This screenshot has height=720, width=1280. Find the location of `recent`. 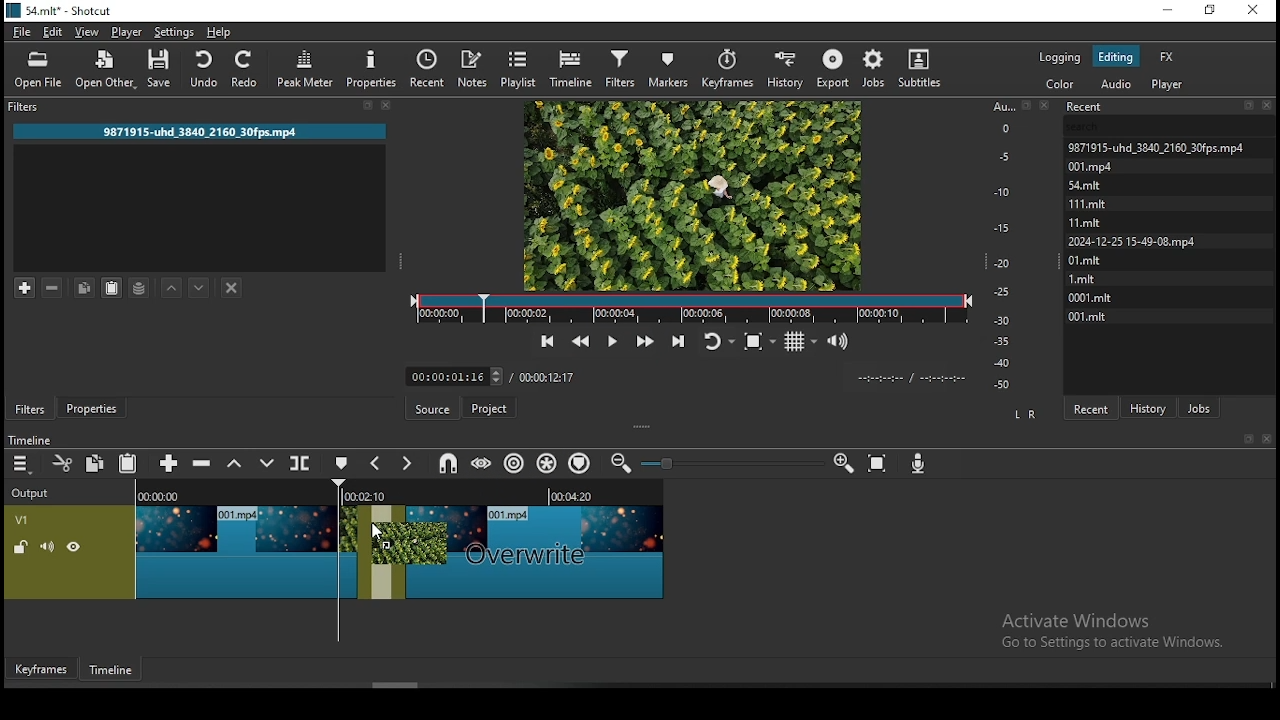

recent is located at coordinates (428, 71).